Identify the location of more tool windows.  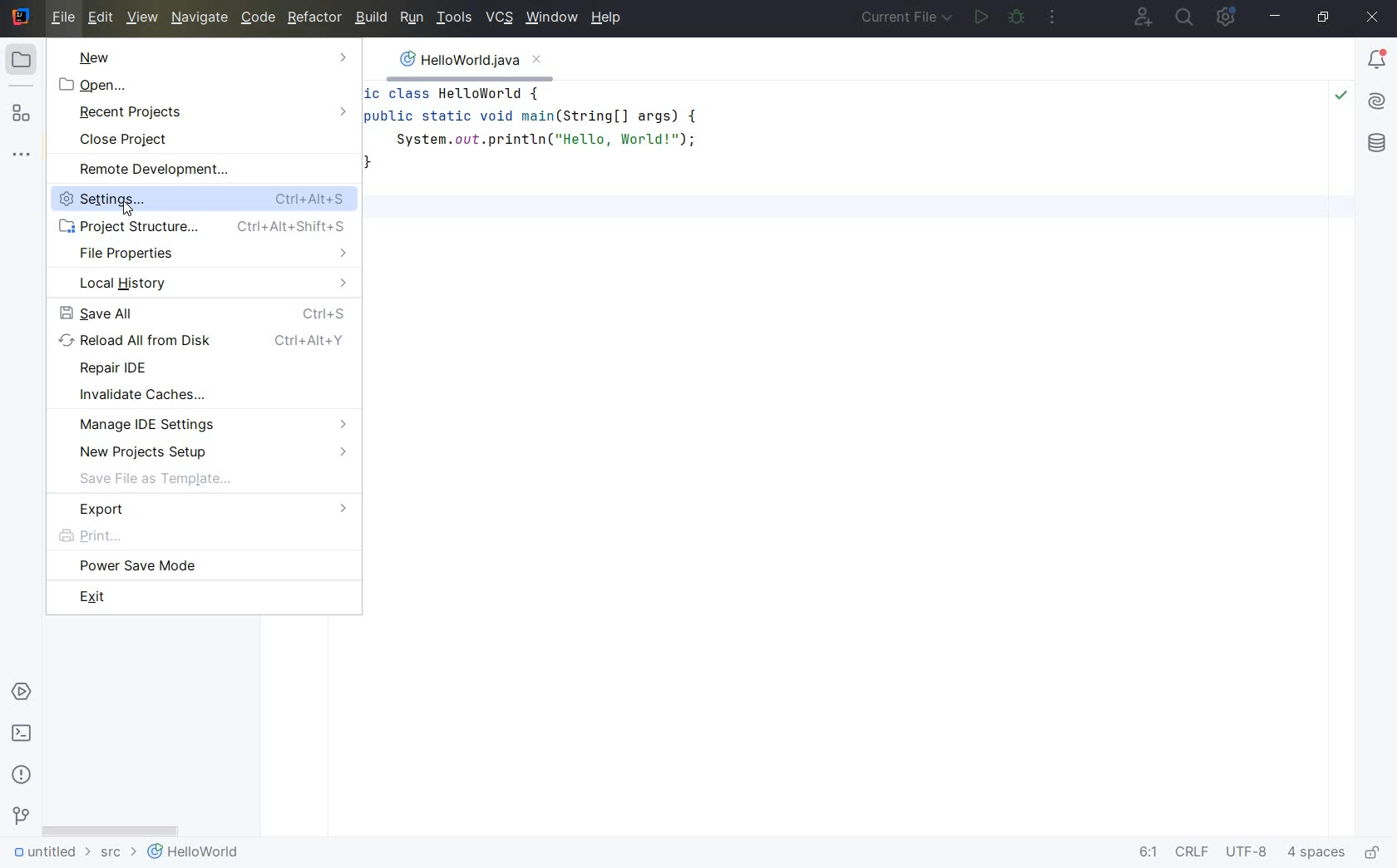
(24, 155).